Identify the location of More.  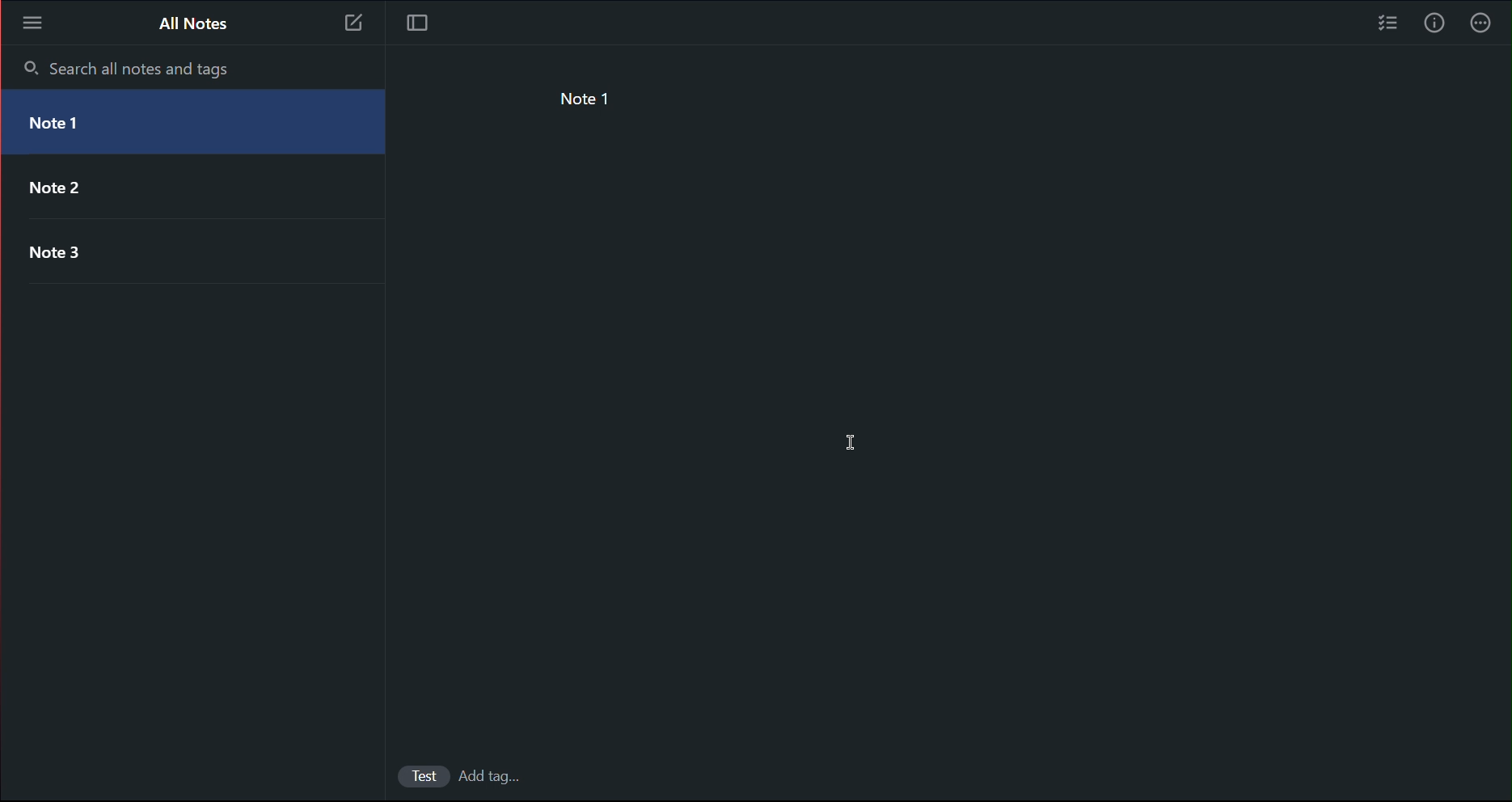
(1485, 23).